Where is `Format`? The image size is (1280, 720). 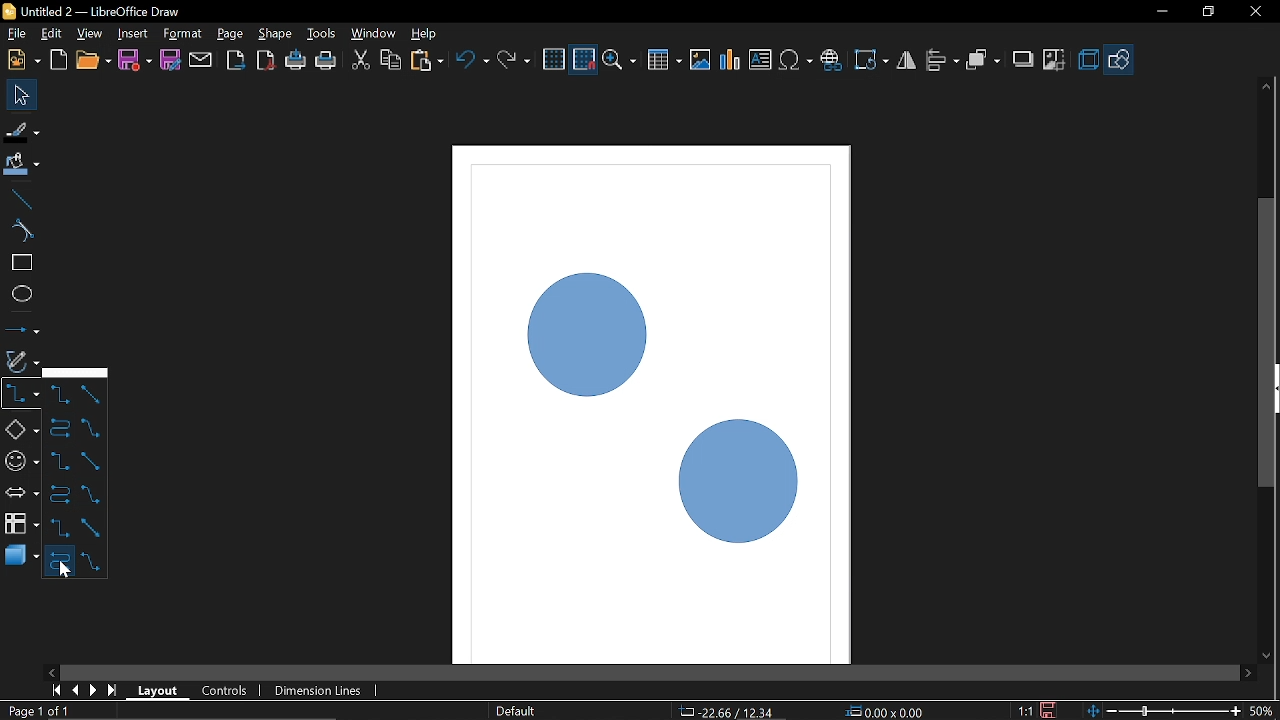
Format is located at coordinates (181, 35).